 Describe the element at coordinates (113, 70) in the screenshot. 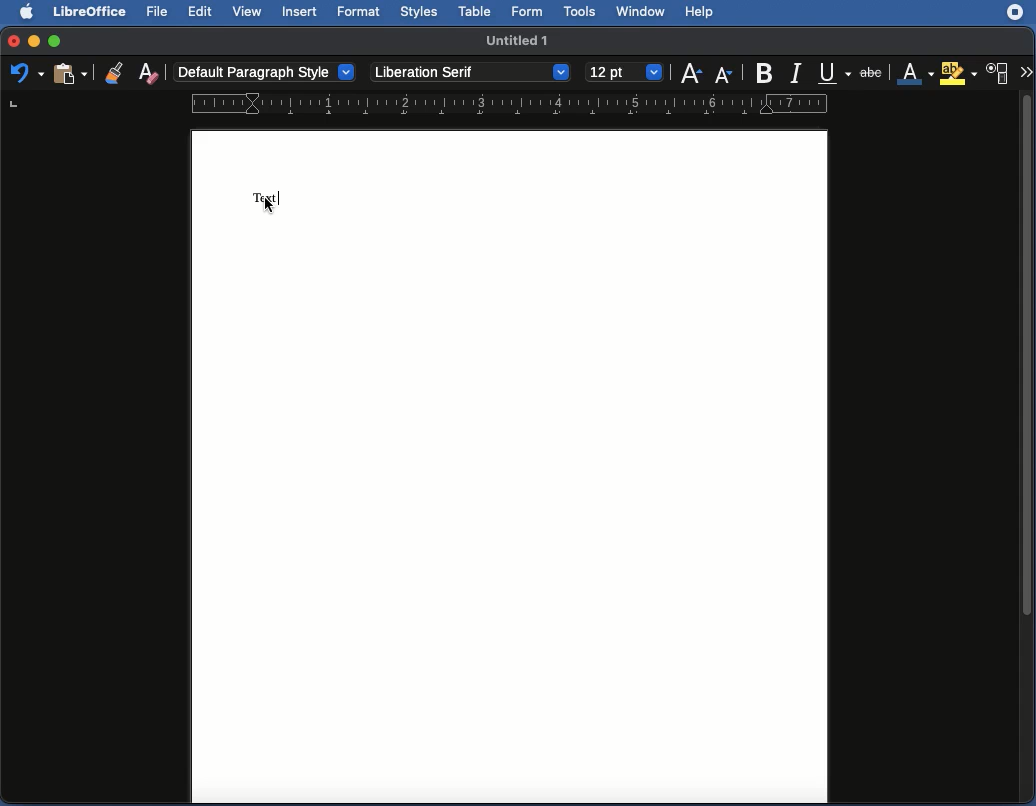

I see `Clone formatting` at that location.